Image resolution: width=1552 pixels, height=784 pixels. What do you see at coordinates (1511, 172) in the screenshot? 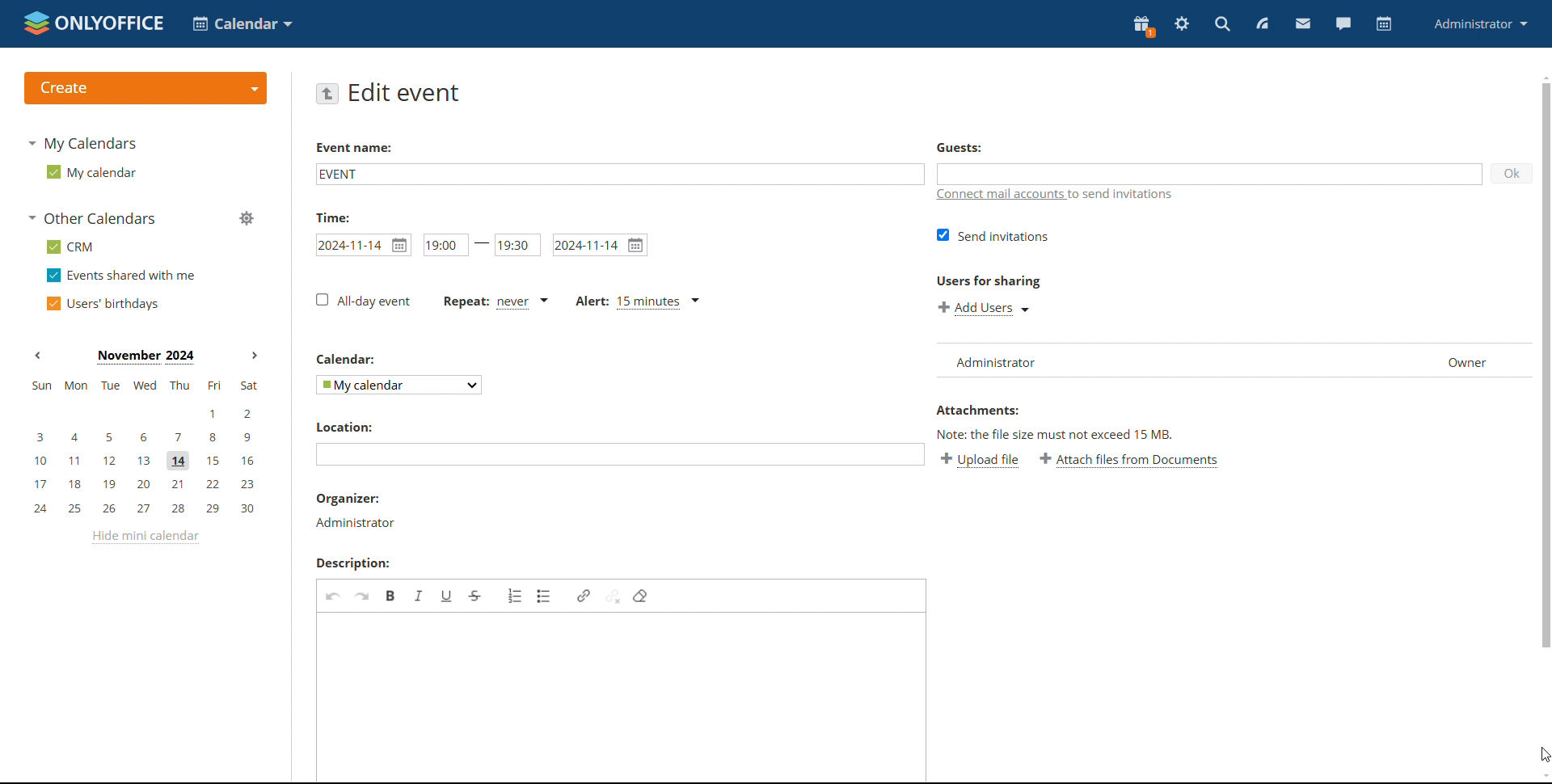
I see `ok` at bounding box center [1511, 172].